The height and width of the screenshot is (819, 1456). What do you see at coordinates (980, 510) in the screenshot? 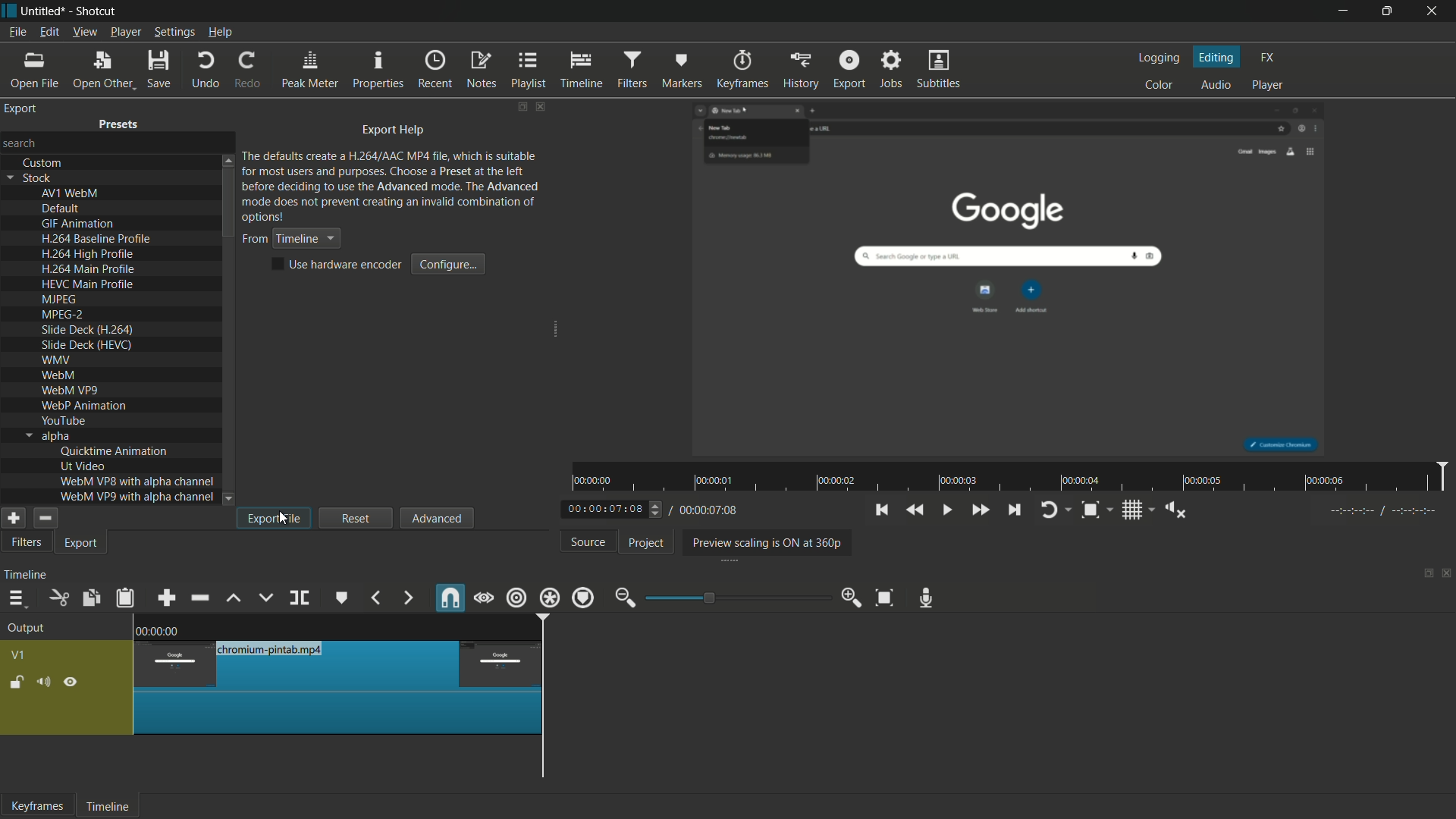
I see `quickly play forward` at bounding box center [980, 510].